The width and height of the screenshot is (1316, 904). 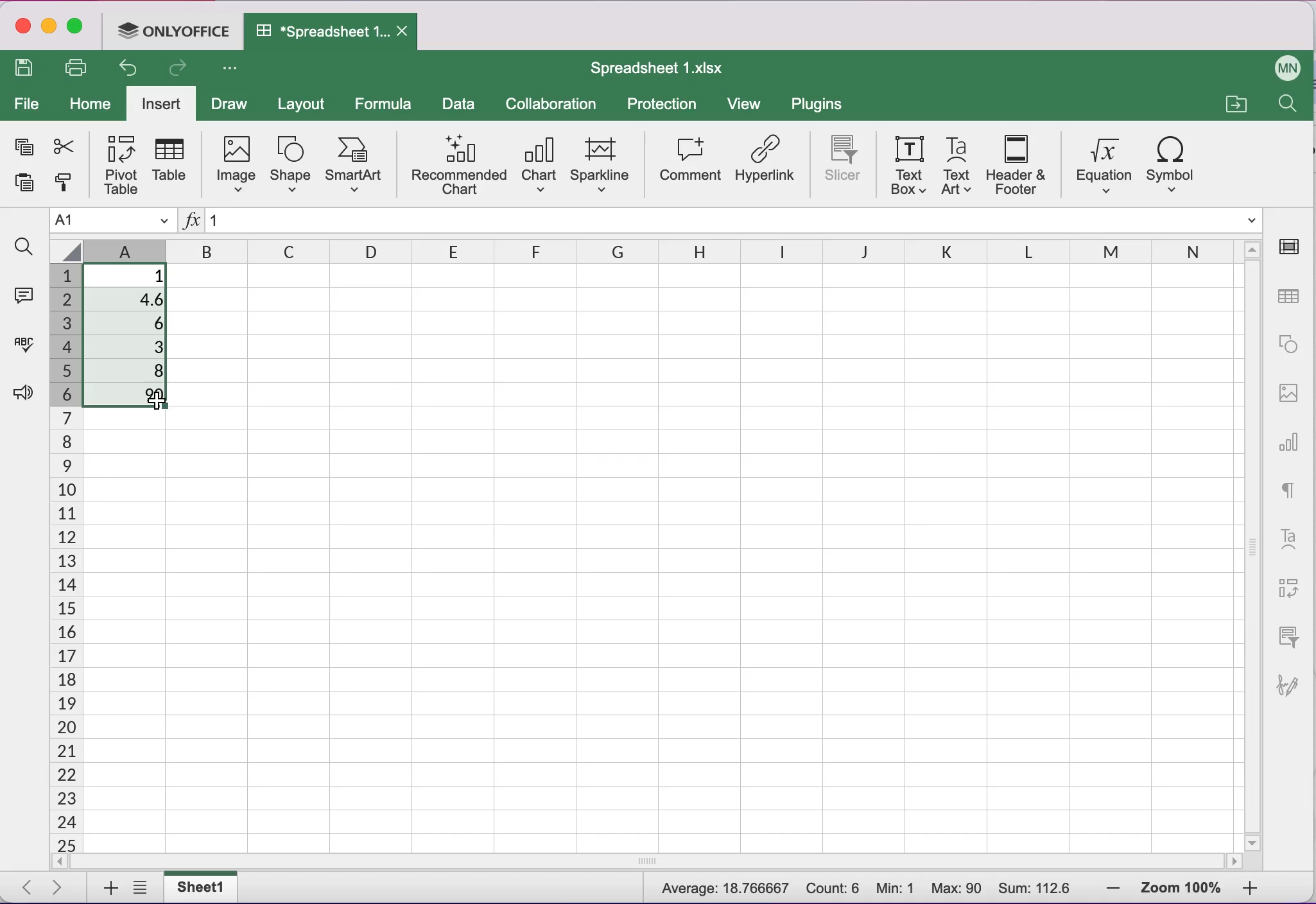 I want to click on vertical scrollbar, so click(x=1251, y=557).